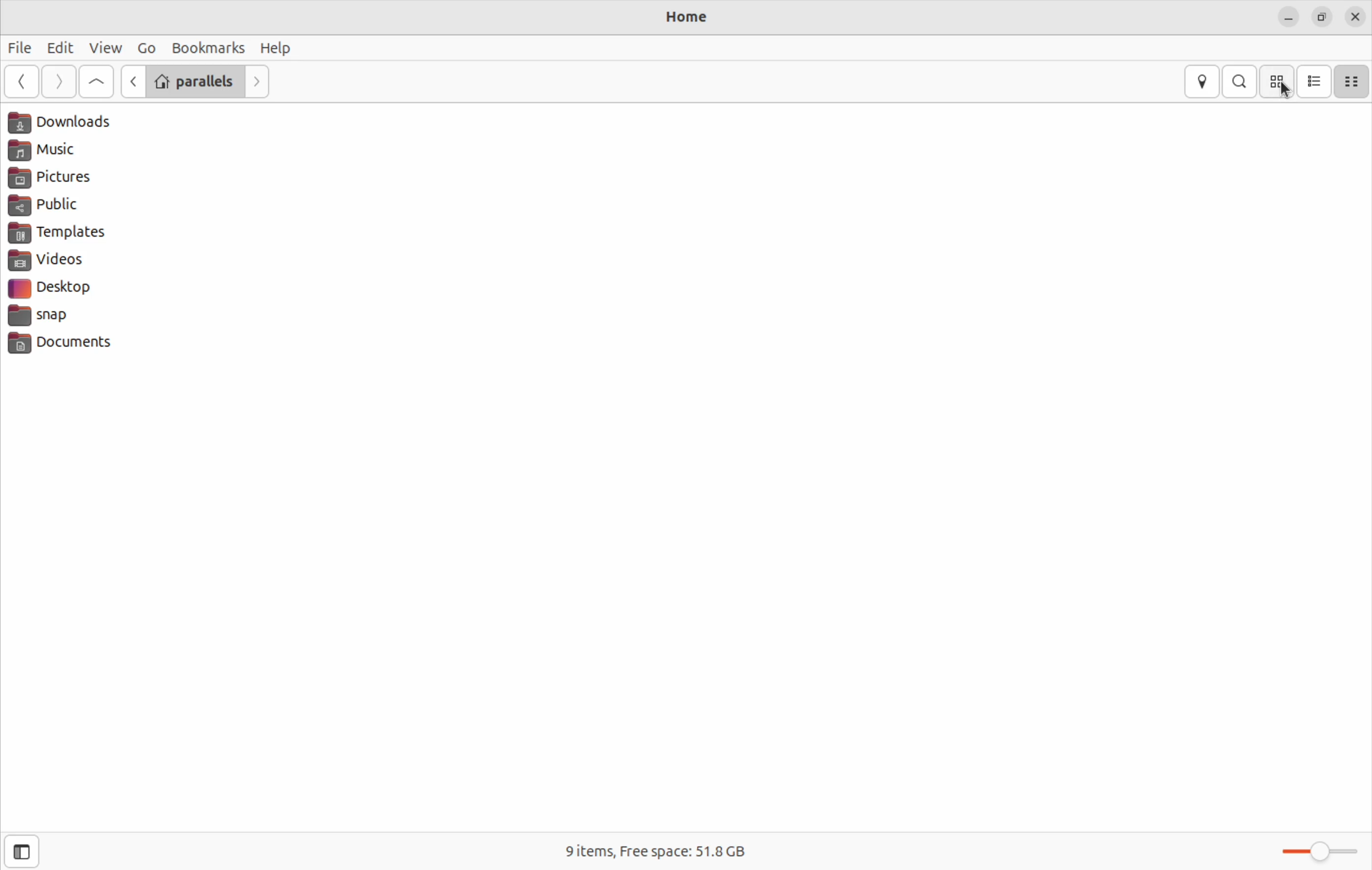 The image size is (1372, 870). I want to click on parallels, so click(193, 80).